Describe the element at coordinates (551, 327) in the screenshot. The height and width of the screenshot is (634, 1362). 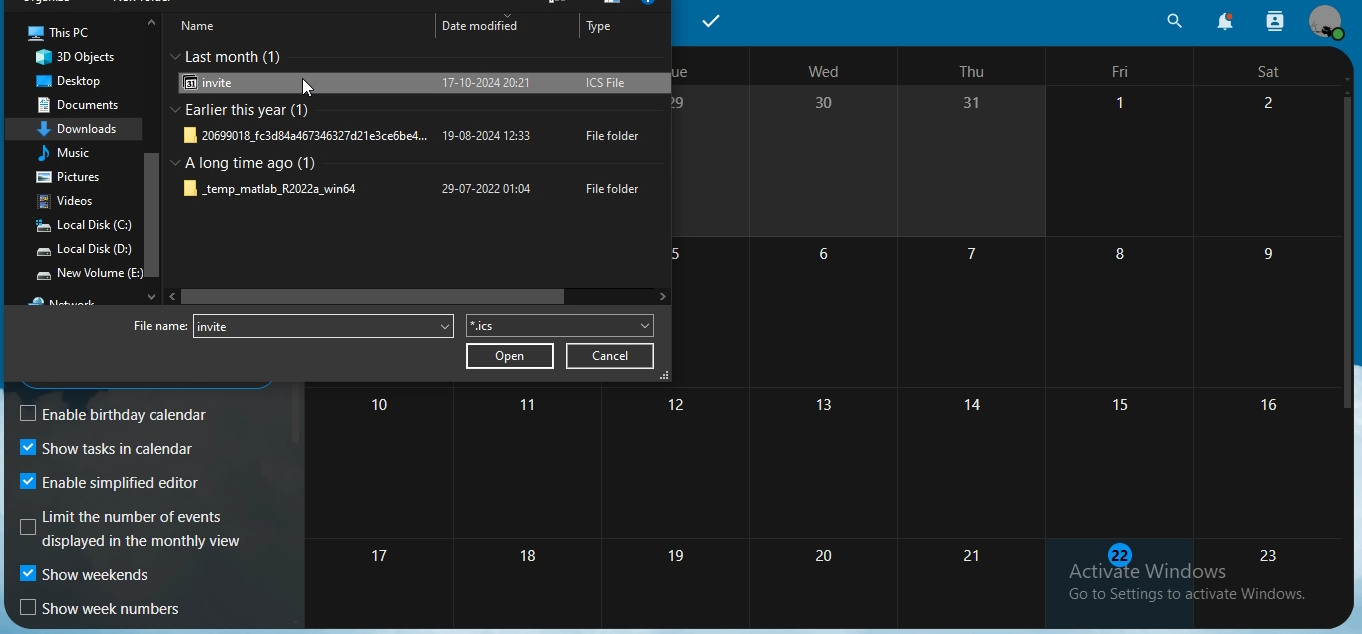
I see `file type` at that location.